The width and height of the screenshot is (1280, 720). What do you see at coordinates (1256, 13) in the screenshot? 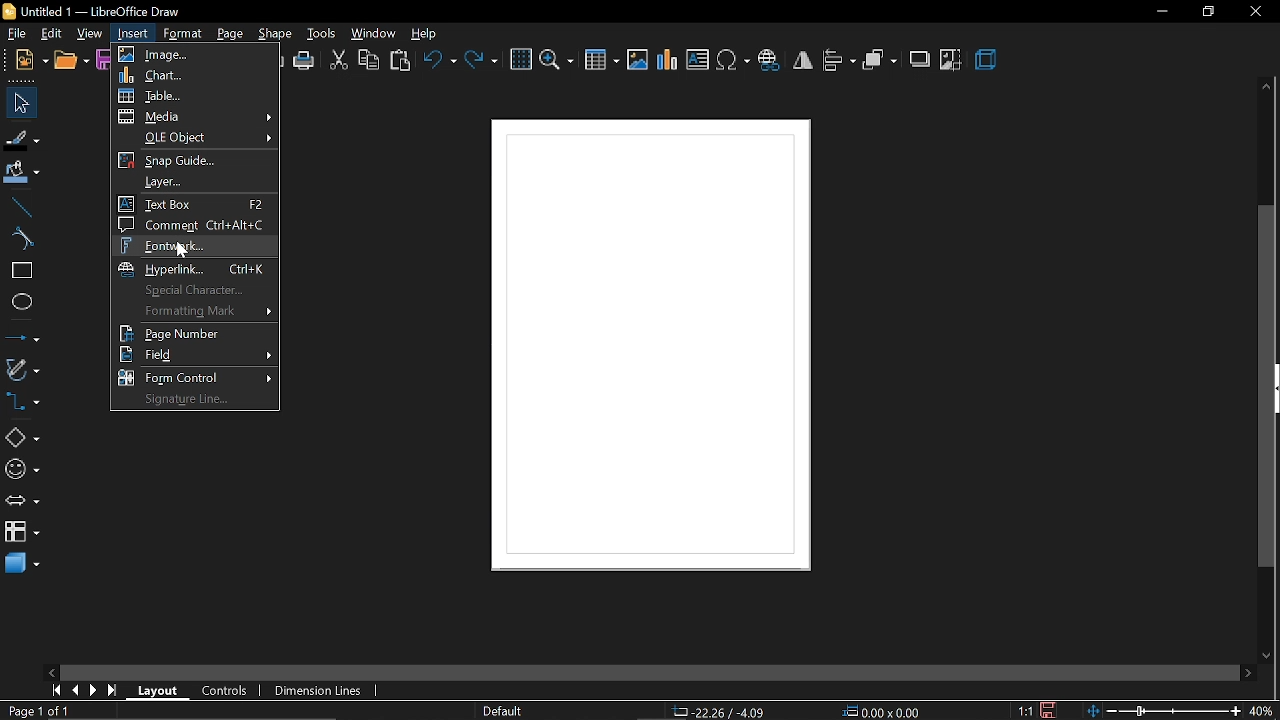
I see `close` at bounding box center [1256, 13].